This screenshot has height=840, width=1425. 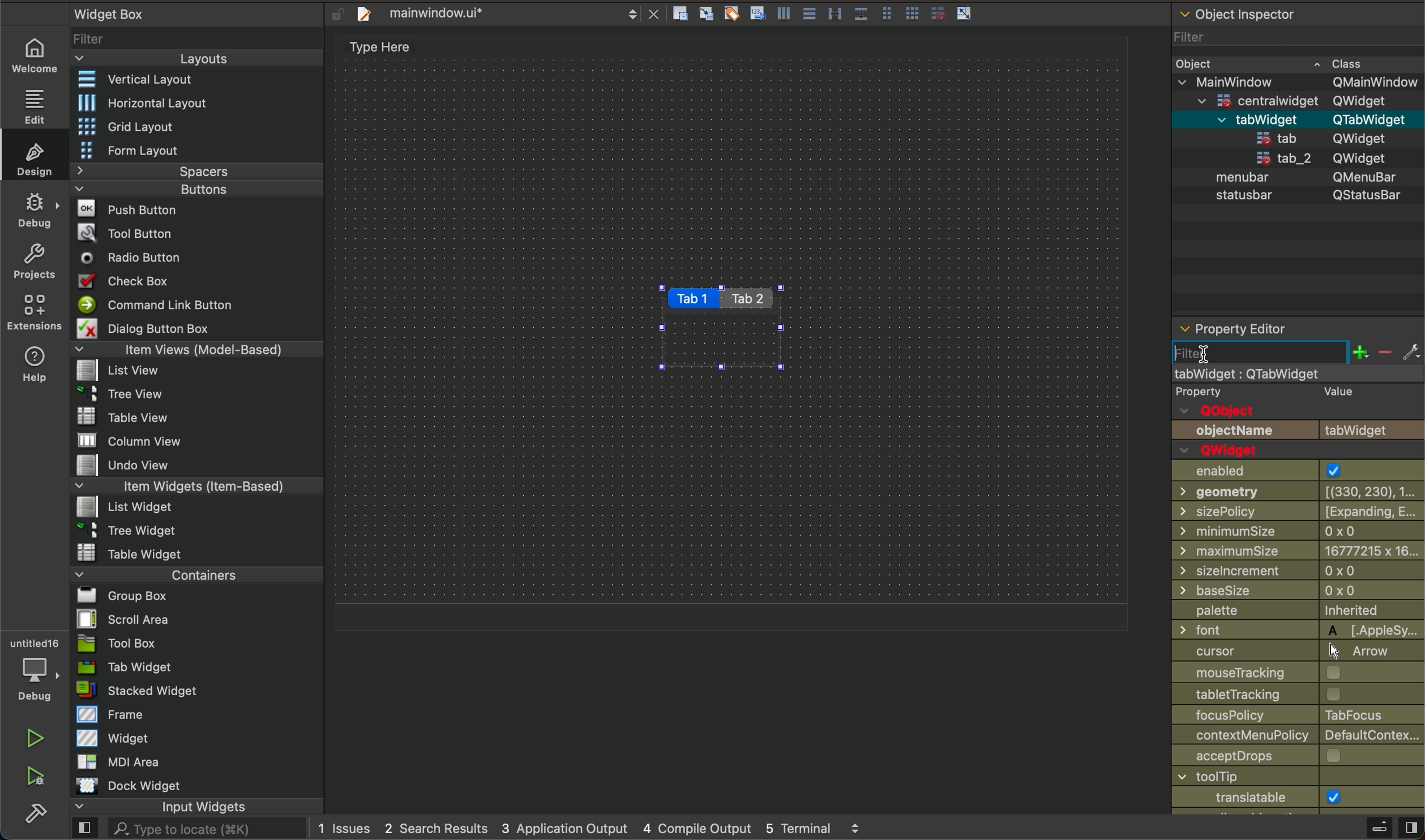 What do you see at coordinates (122, 593) in the screenshot?
I see `Bl Group Box` at bounding box center [122, 593].